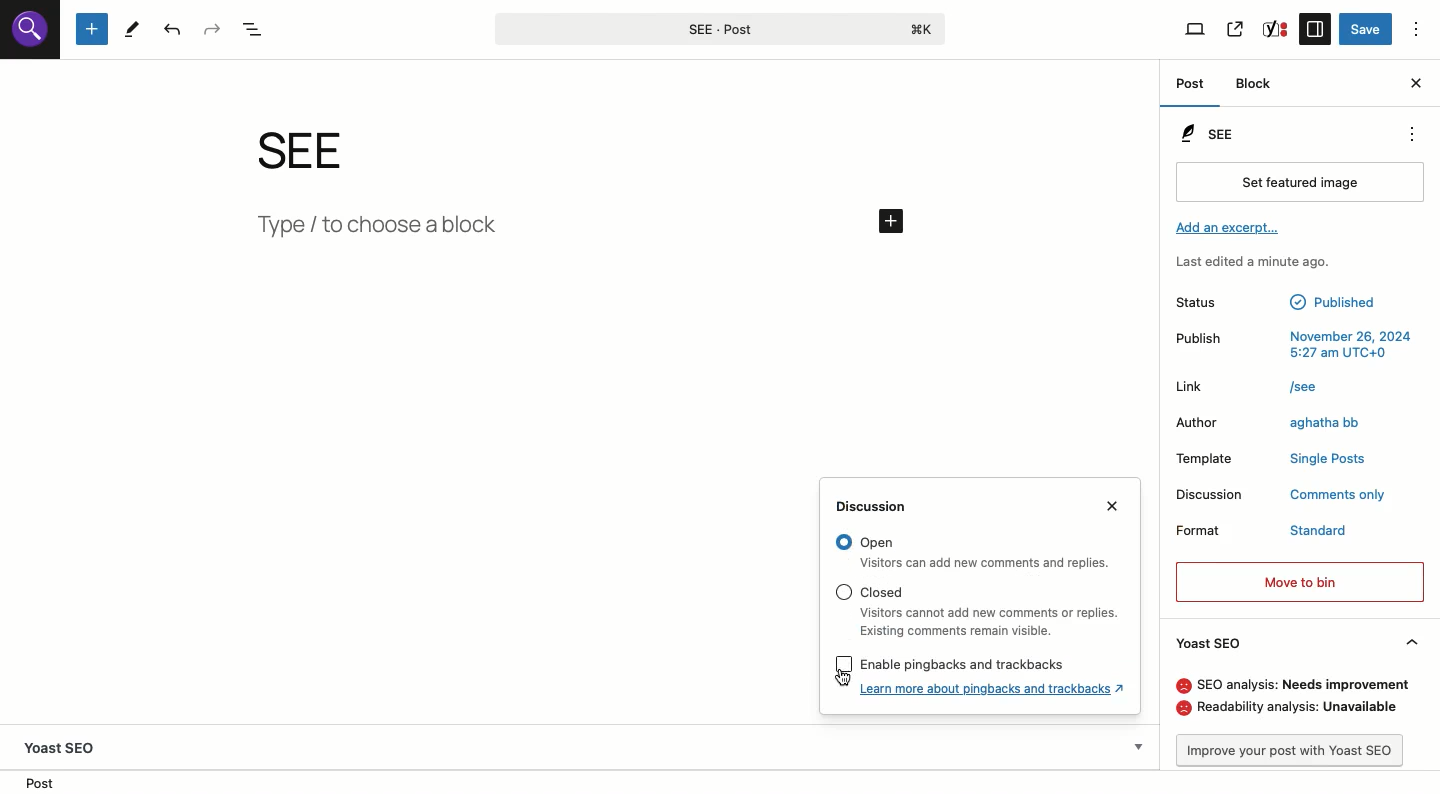 The height and width of the screenshot is (794, 1440). What do you see at coordinates (1264, 533) in the screenshot?
I see `Format standard` at bounding box center [1264, 533].